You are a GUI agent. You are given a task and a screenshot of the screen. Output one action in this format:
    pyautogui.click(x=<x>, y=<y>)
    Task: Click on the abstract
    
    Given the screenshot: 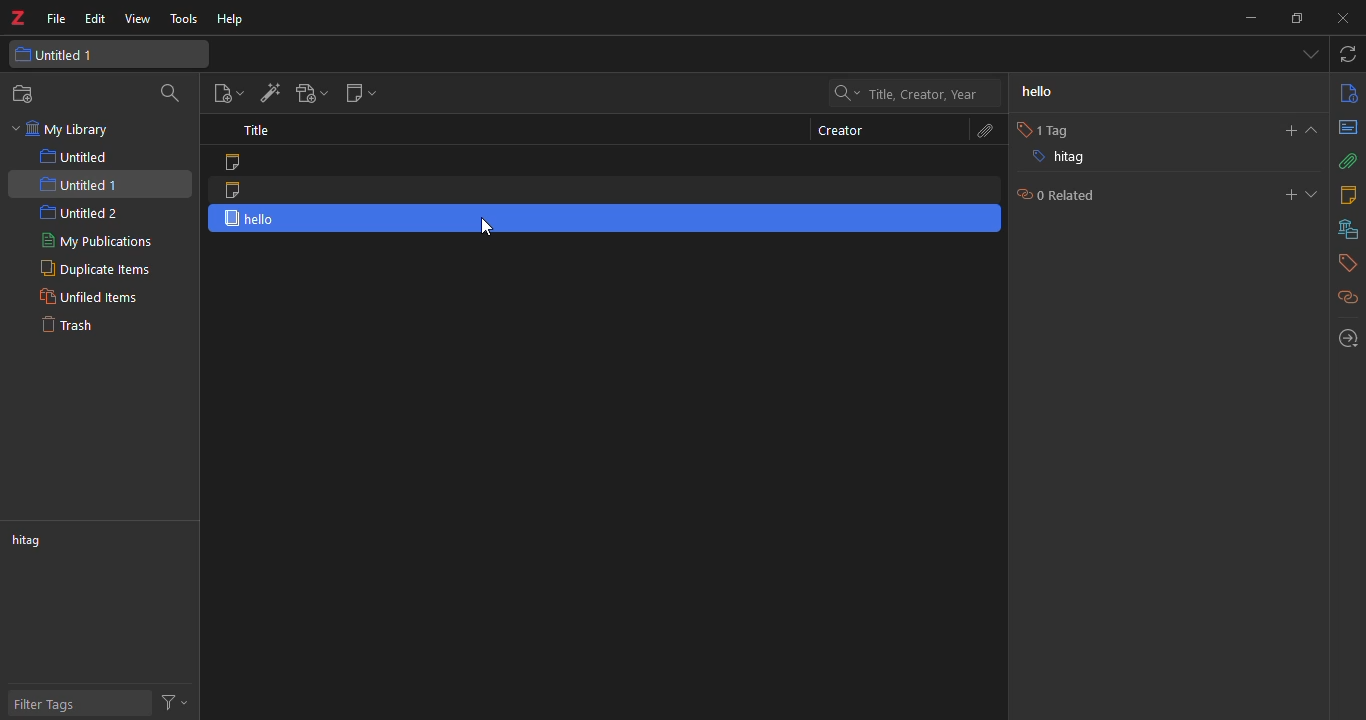 What is the action you would take?
    pyautogui.click(x=1349, y=128)
    